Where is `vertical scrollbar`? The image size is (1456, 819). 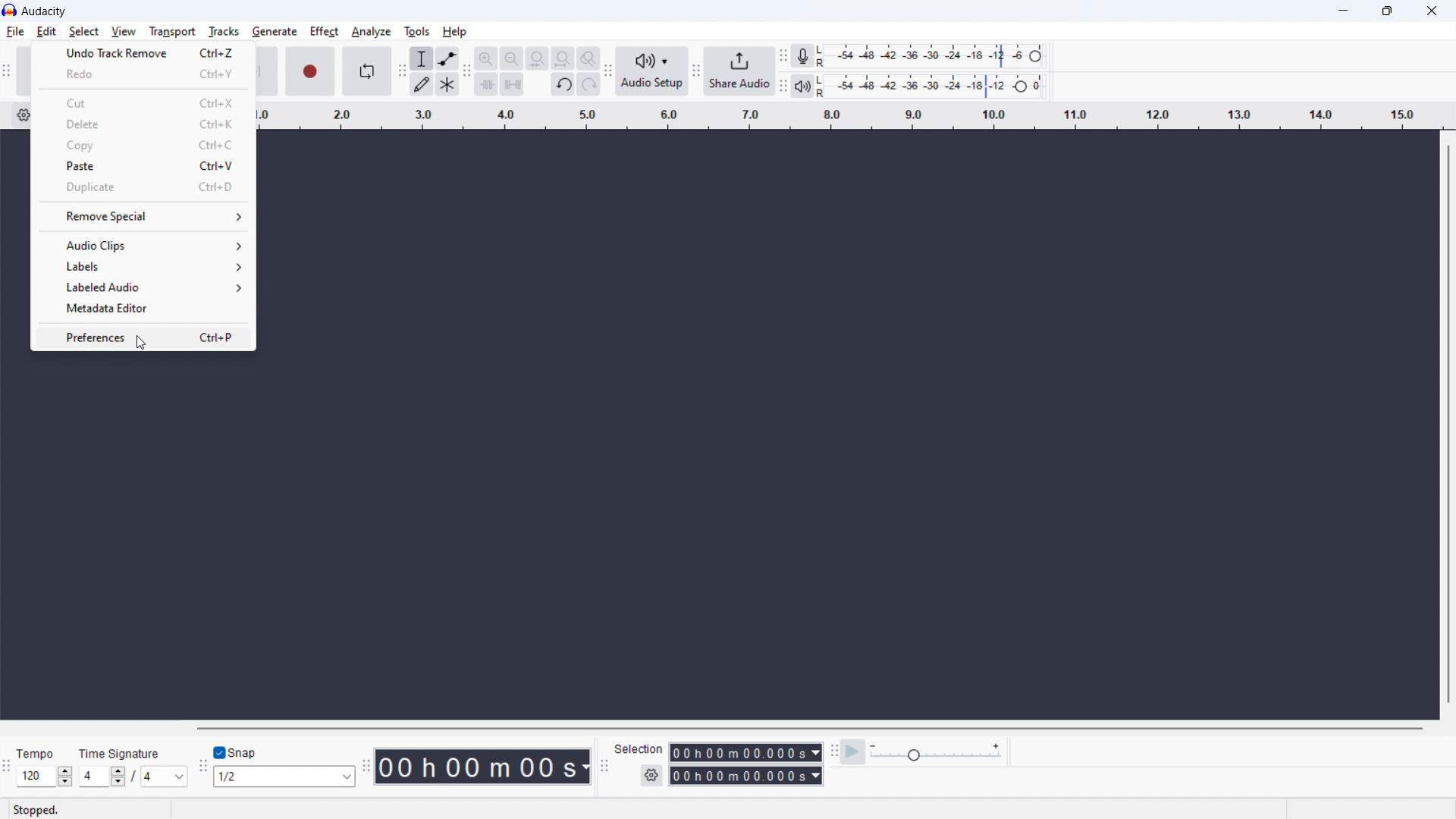 vertical scrollbar is located at coordinates (1450, 424).